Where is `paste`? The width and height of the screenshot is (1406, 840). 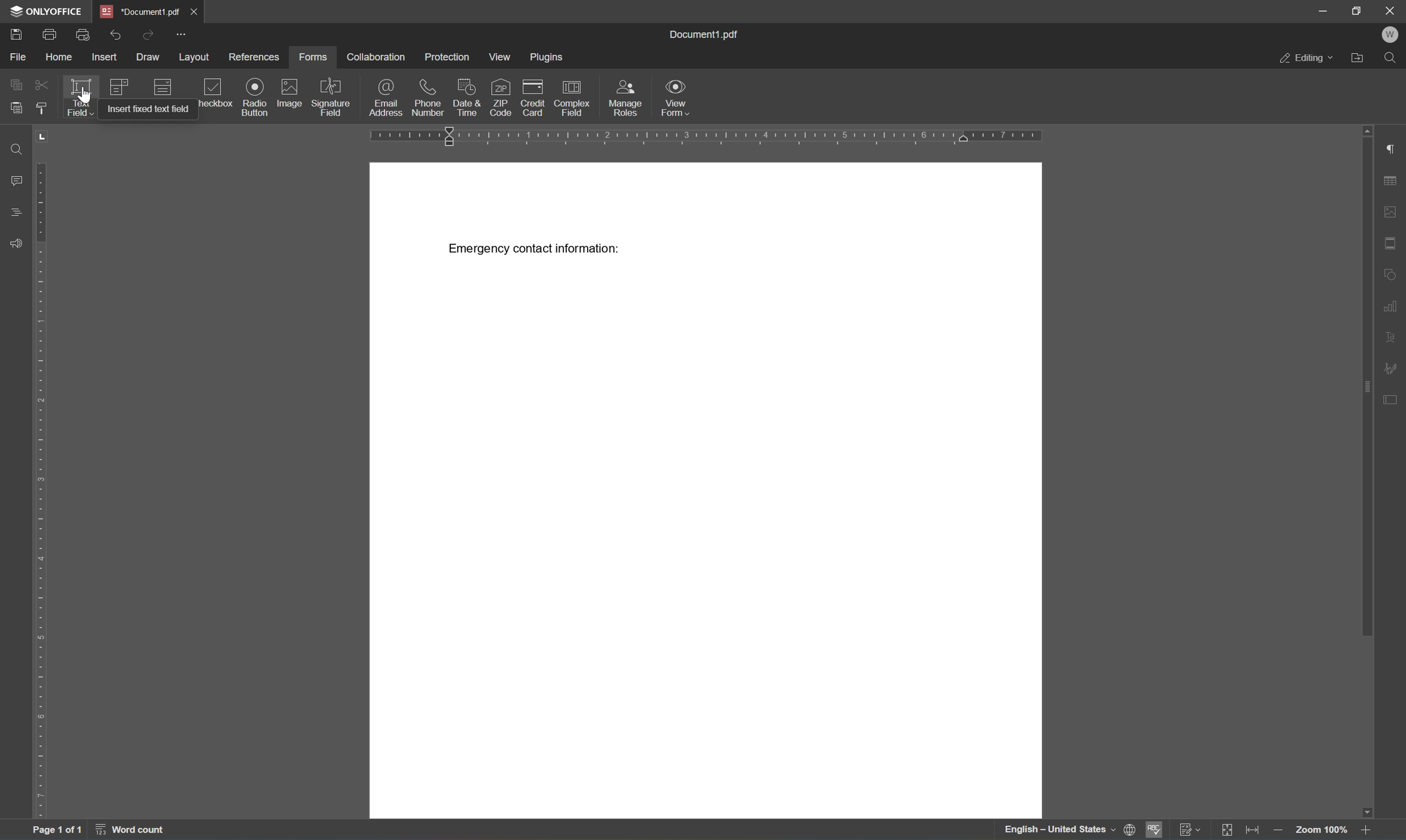 paste is located at coordinates (16, 109).